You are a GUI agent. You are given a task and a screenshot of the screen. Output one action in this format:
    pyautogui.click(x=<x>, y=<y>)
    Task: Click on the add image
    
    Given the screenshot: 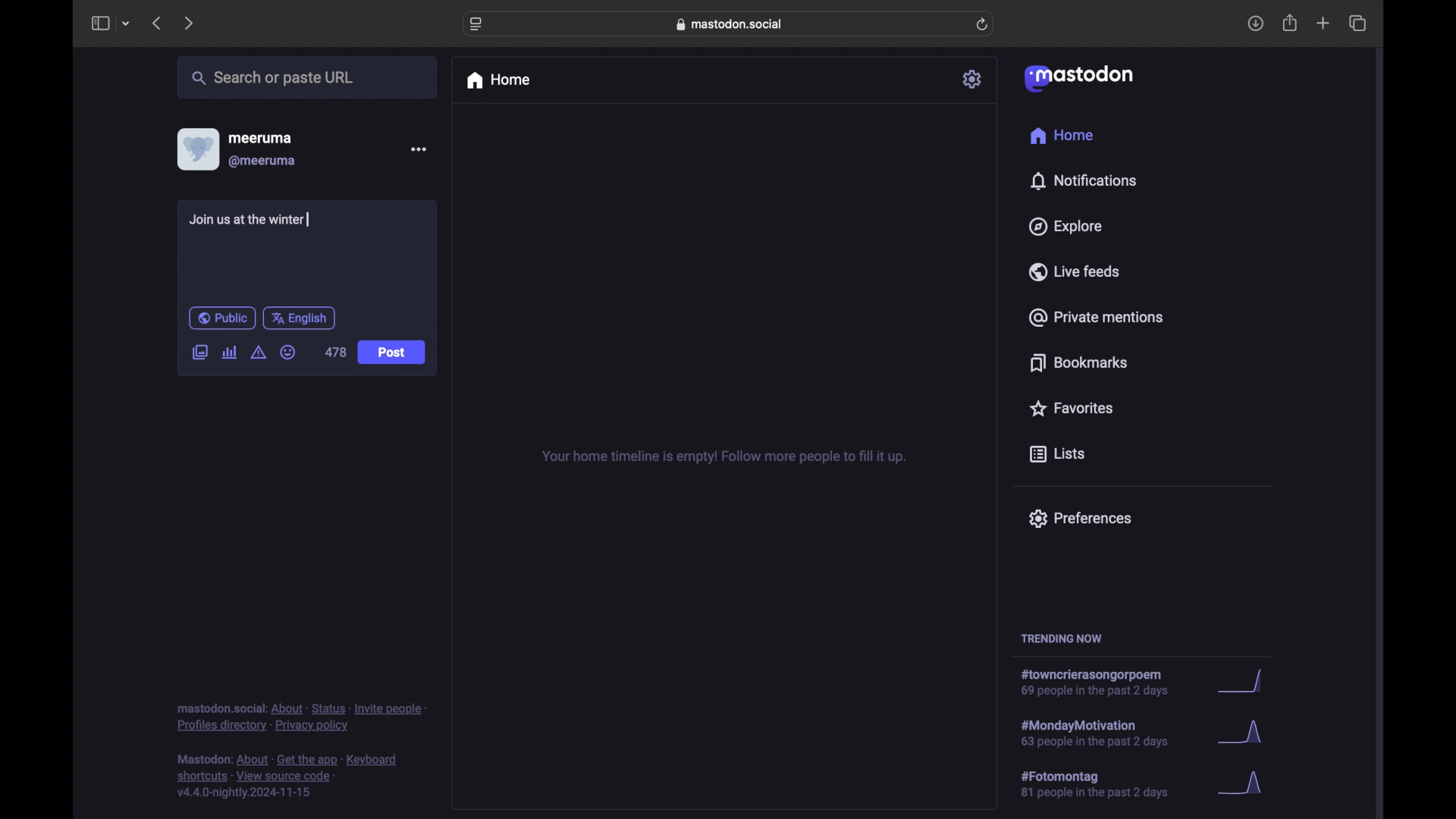 What is the action you would take?
    pyautogui.click(x=199, y=353)
    